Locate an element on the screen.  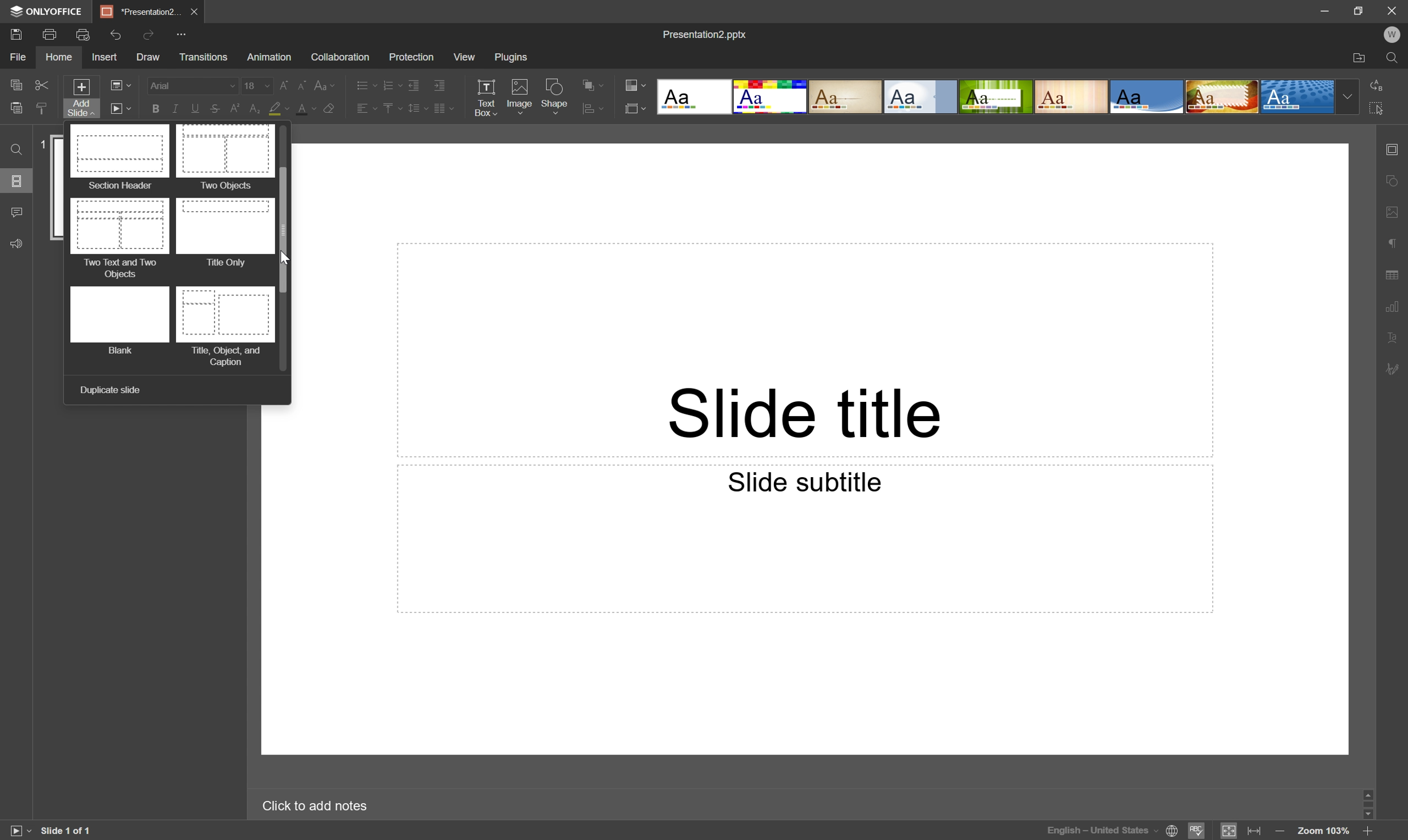
Increase indent is located at coordinates (441, 84).